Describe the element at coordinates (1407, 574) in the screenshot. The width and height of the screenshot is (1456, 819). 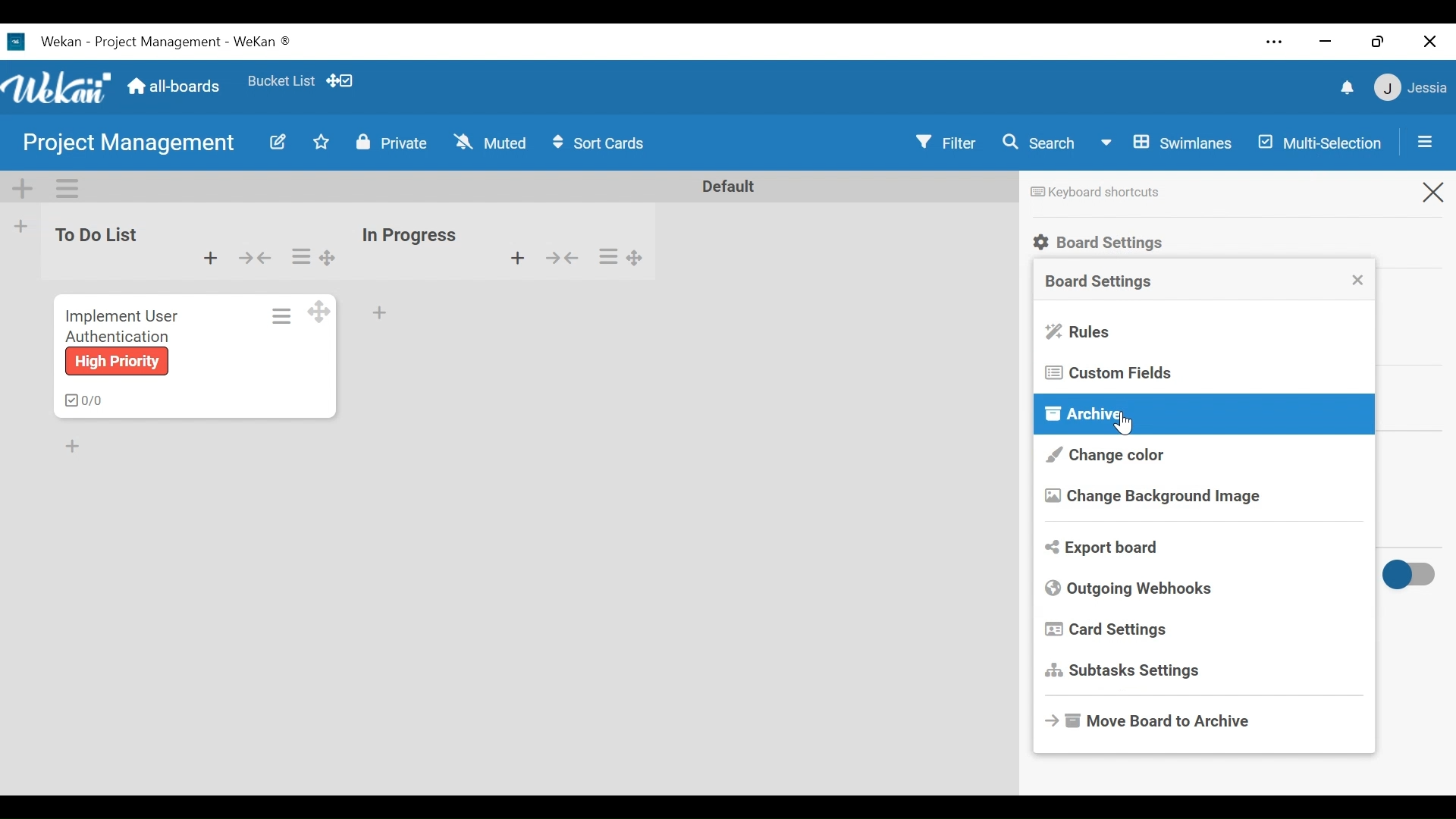
I see `Toggle show/hide activities` at that location.